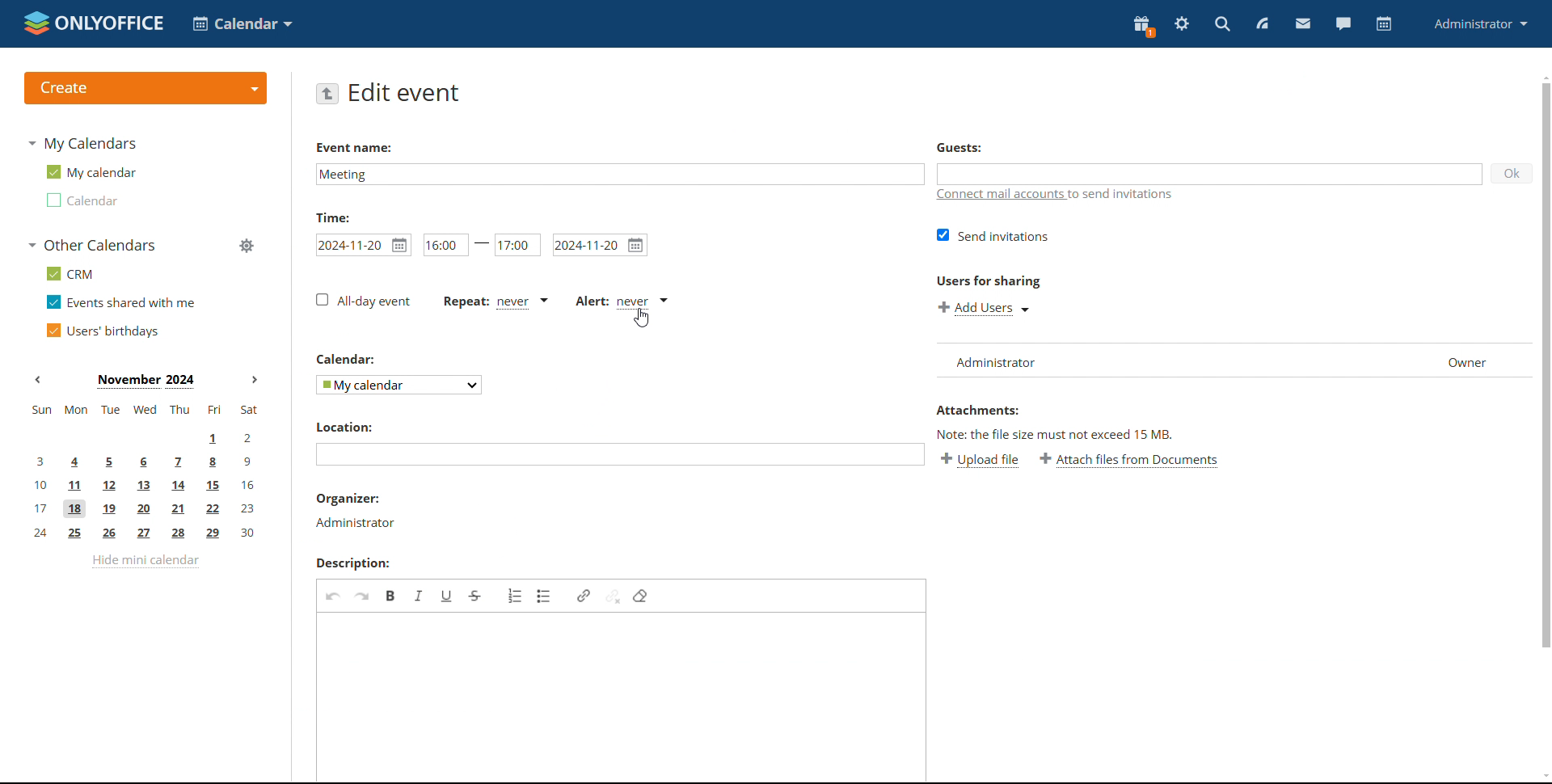 The width and height of the screenshot is (1552, 784). What do you see at coordinates (361, 596) in the screenshot?
I see `redo` at bounding box center [361, 596].